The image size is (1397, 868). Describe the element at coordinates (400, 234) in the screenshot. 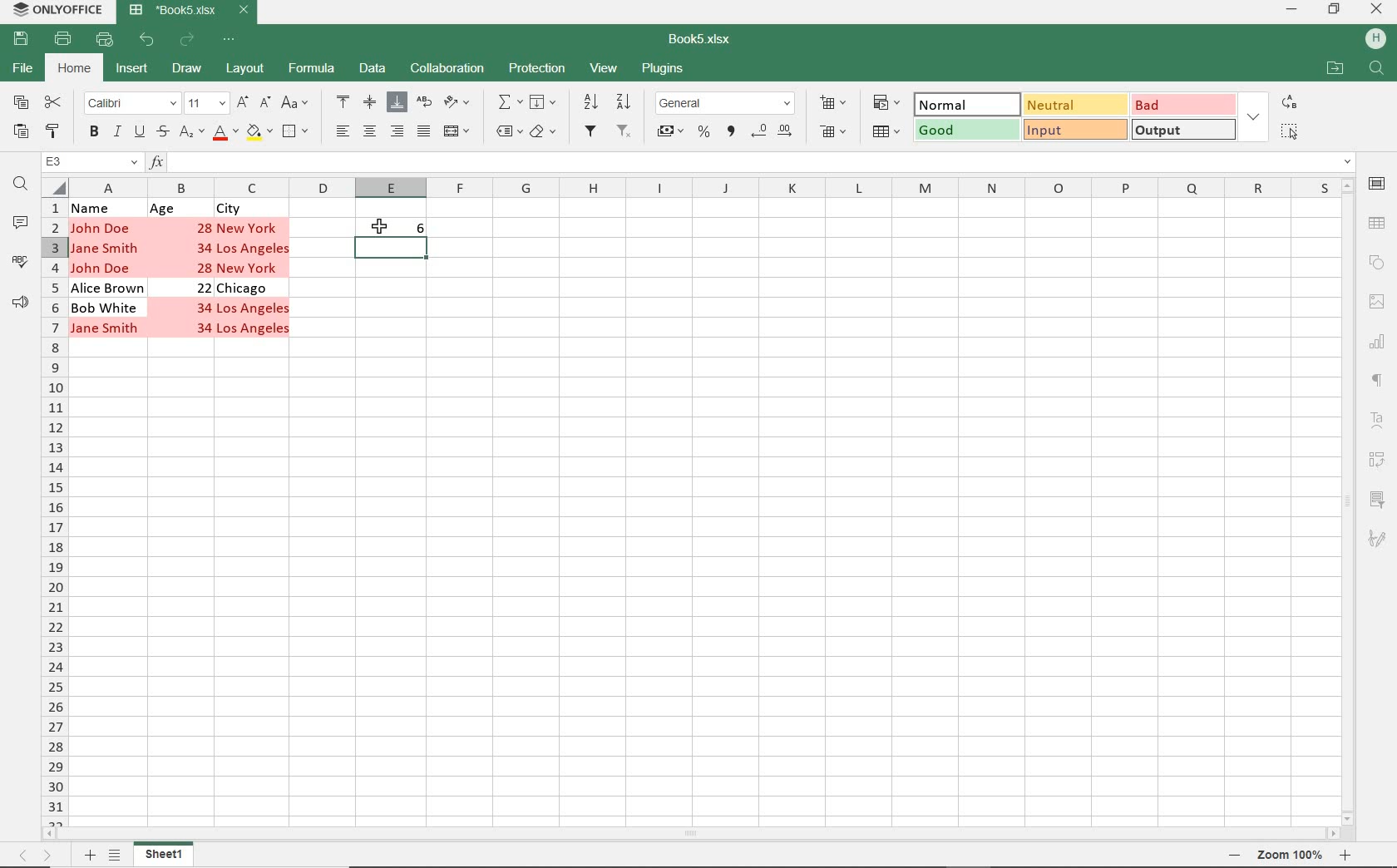

I see `FORMULA RETURNS 6` at that location.